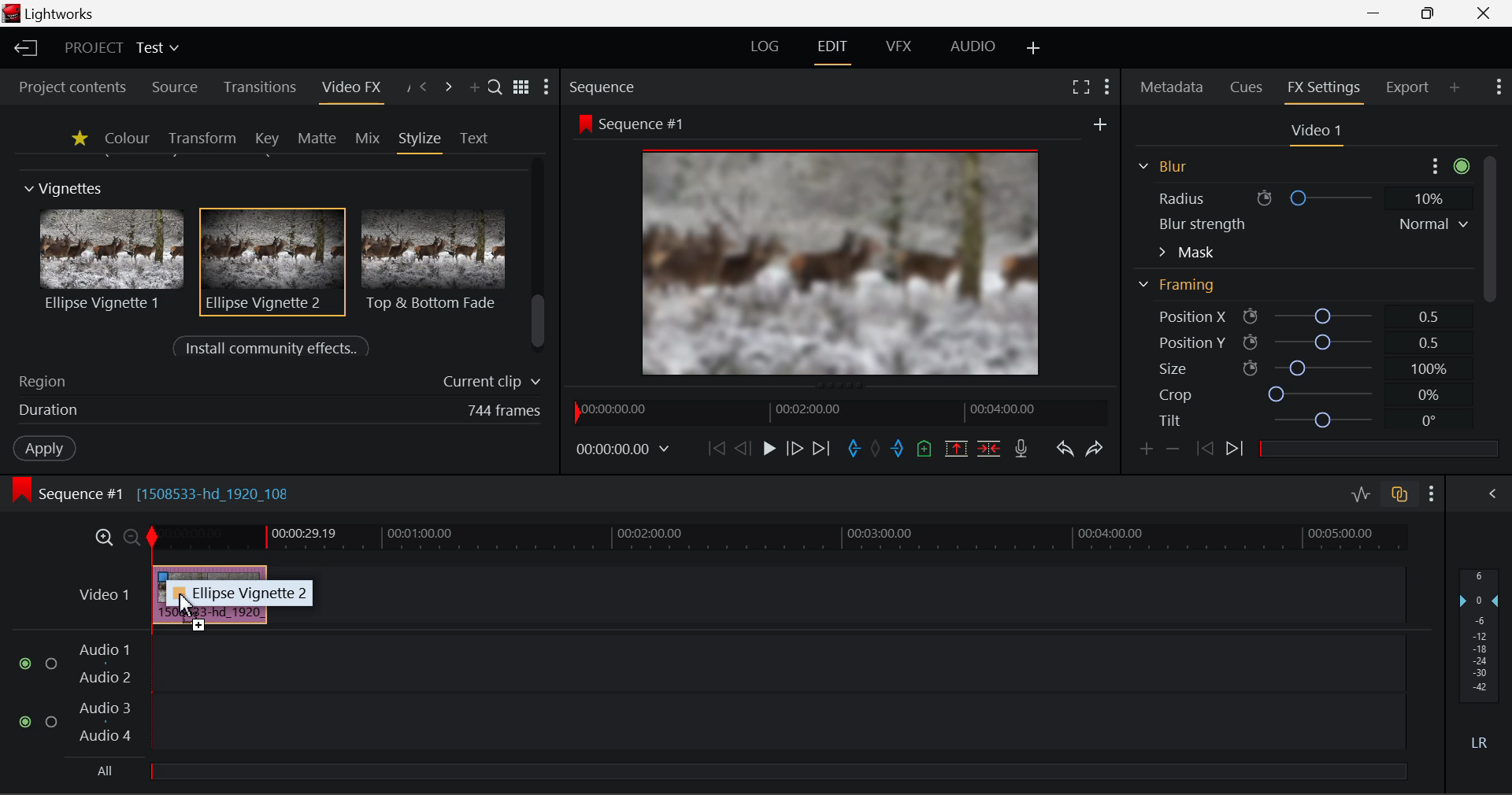  I want to click on scrollbar, so click(540, 322).